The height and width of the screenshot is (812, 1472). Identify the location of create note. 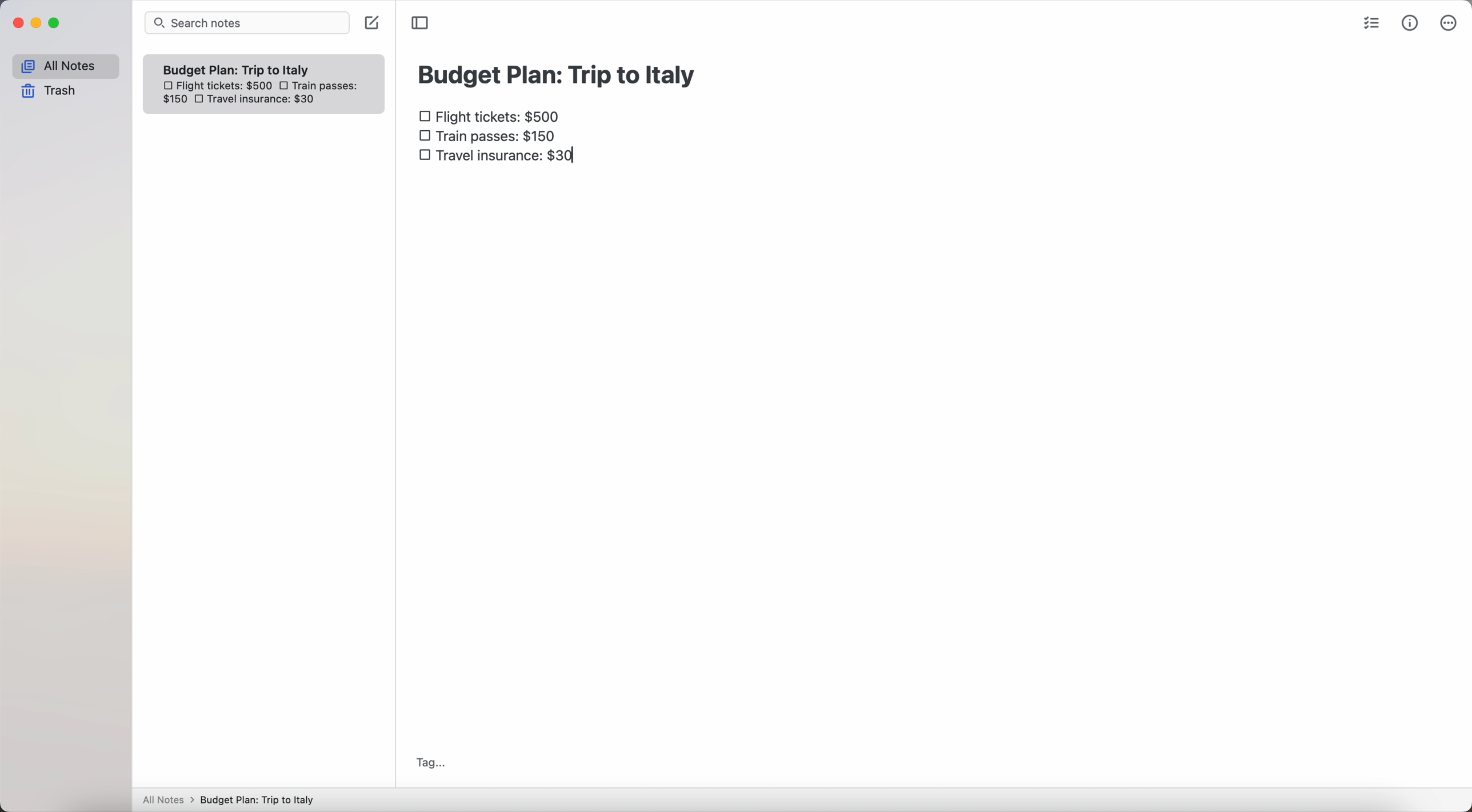
(371, 24).